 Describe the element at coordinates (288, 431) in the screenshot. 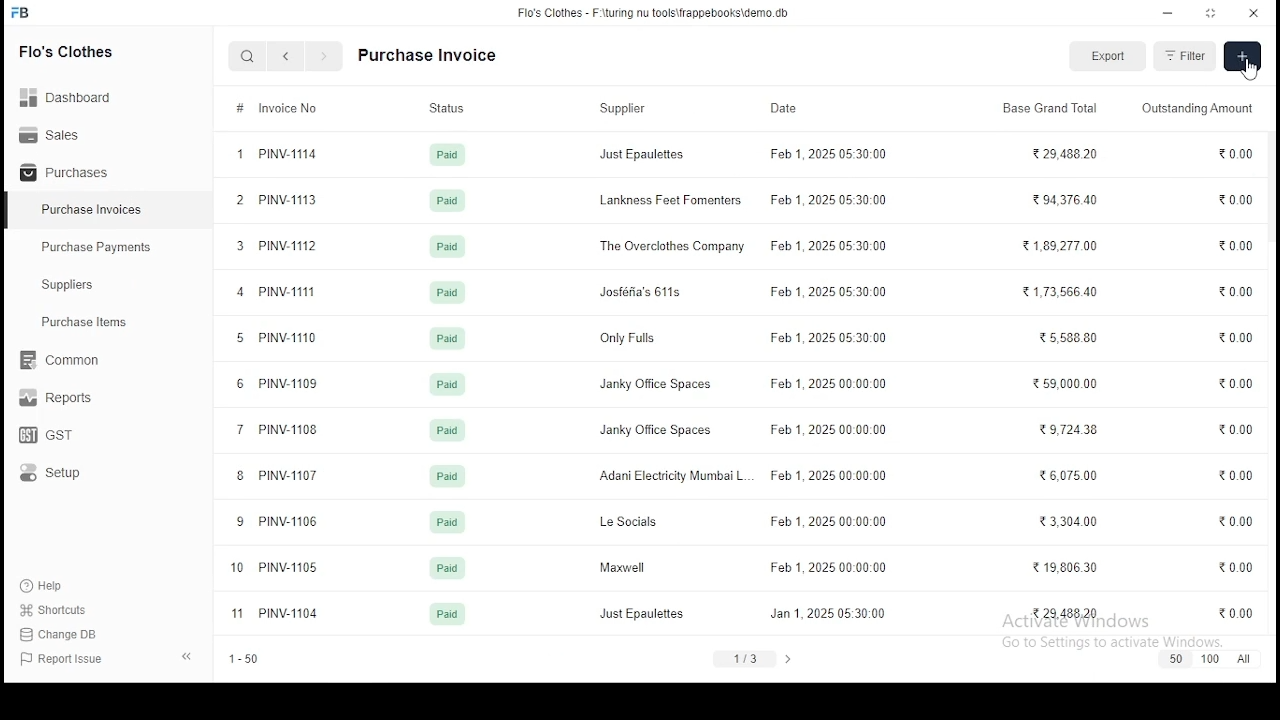

I see `PINV-1108` at that location.